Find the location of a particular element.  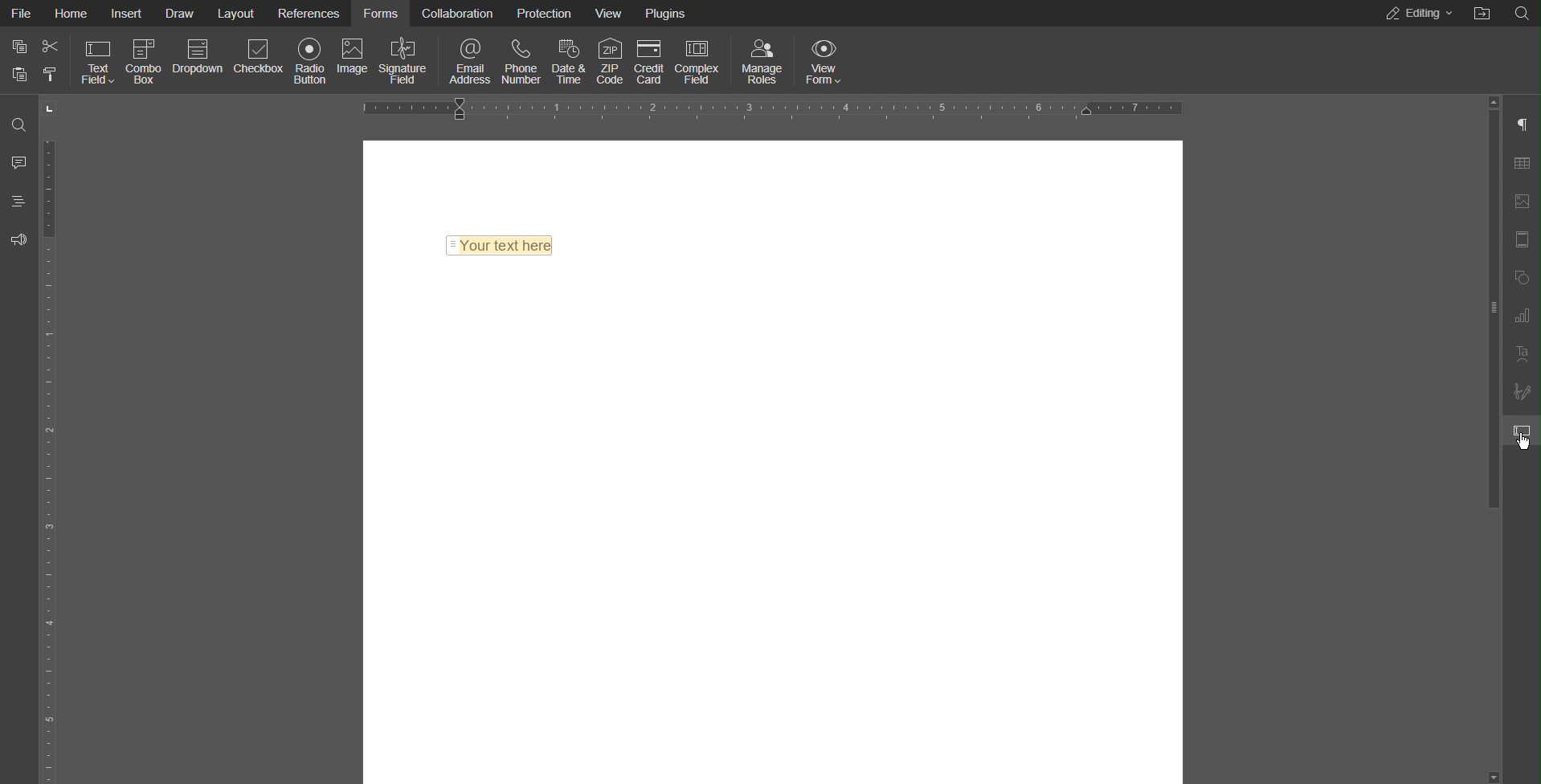

Text Art is located at coordinates (1520, 354).